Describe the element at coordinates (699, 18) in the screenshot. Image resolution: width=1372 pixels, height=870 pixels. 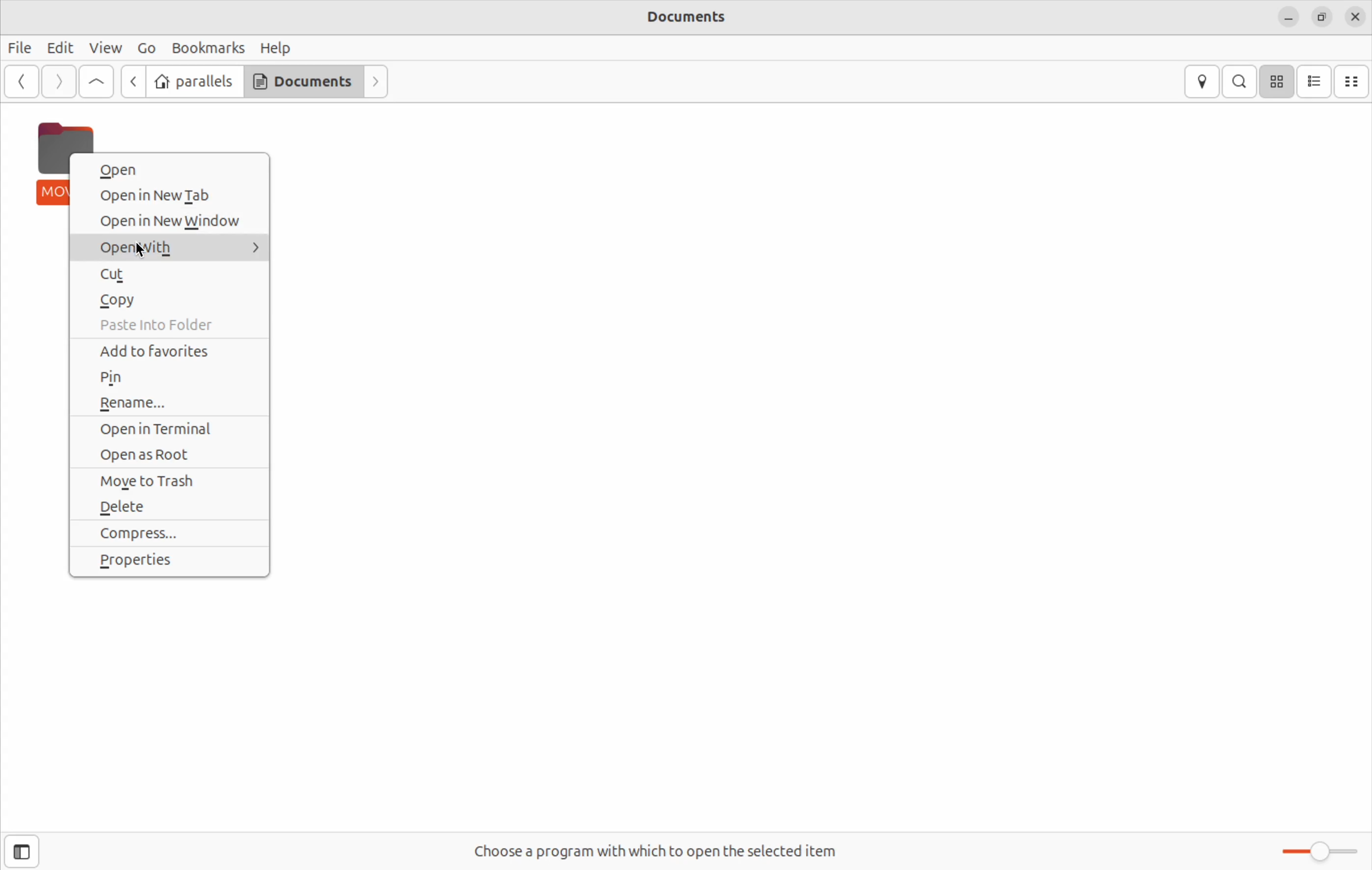
I see `Documents` at that location.